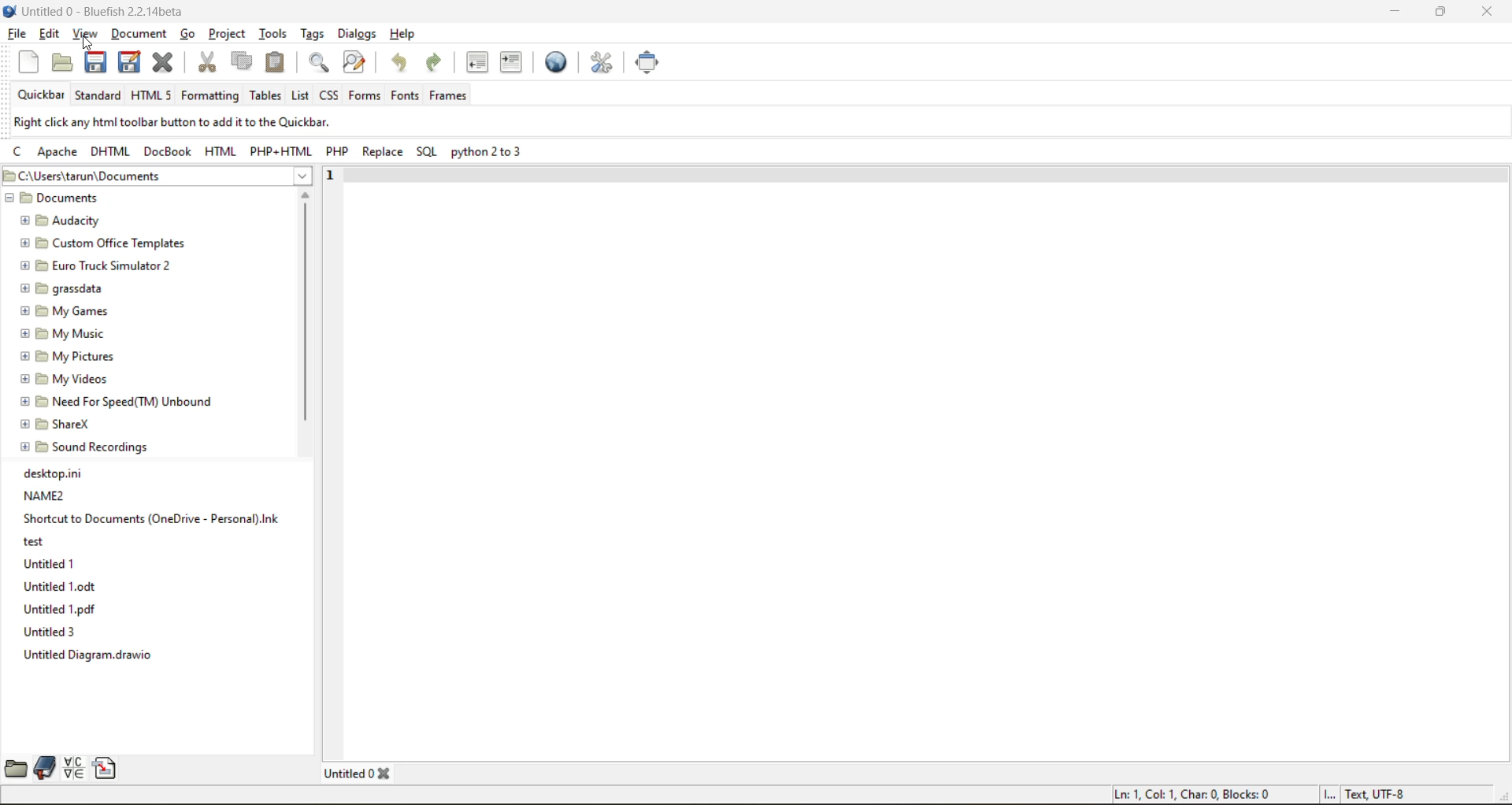 This screenshot has height=805, width=1512. What do you see at coordinates (169, 65) in the screenshot?
I see `close` at bounding box center [169, 65].